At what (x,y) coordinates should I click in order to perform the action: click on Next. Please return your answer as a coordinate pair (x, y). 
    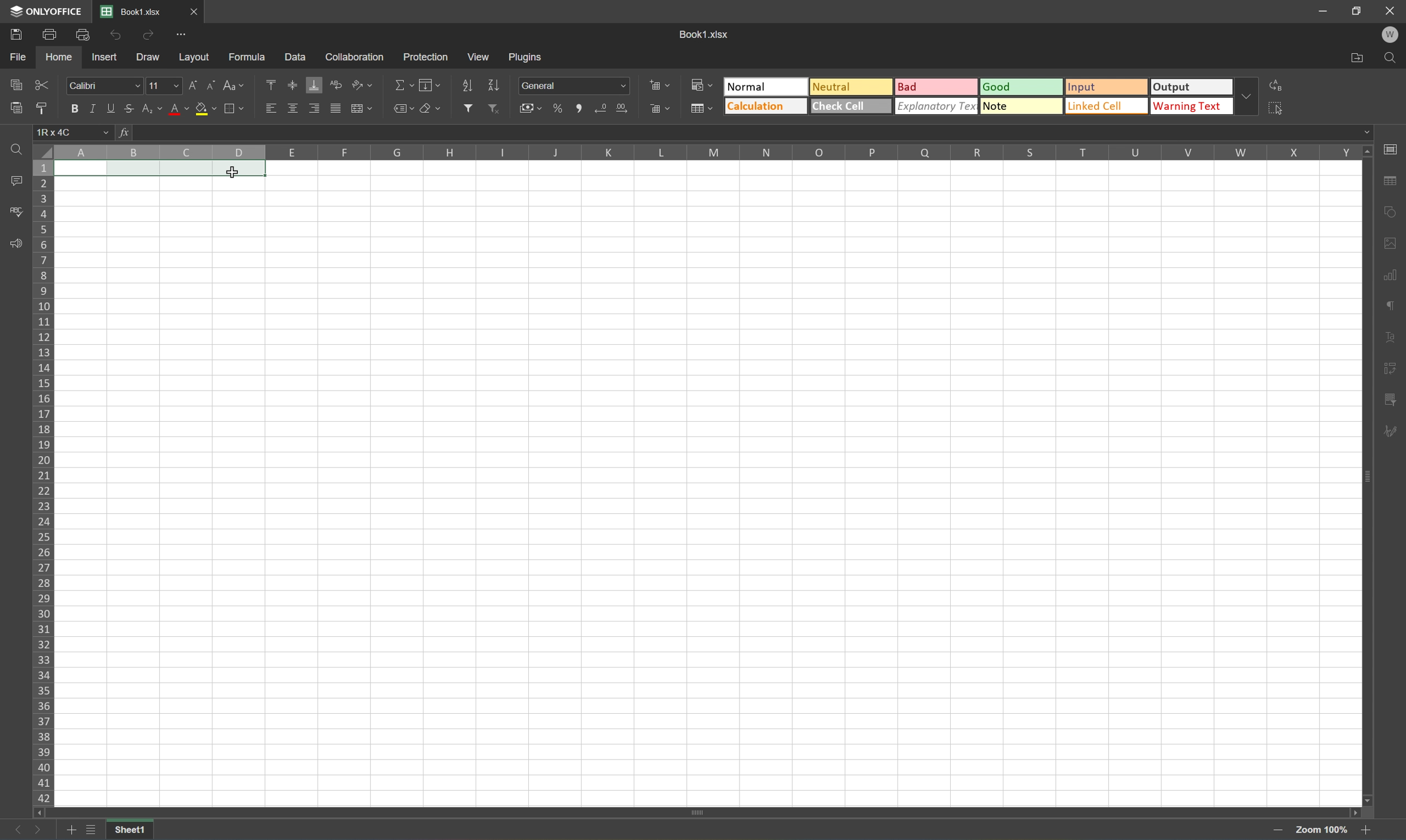
    Looking at the image, I should click on (39, 830).